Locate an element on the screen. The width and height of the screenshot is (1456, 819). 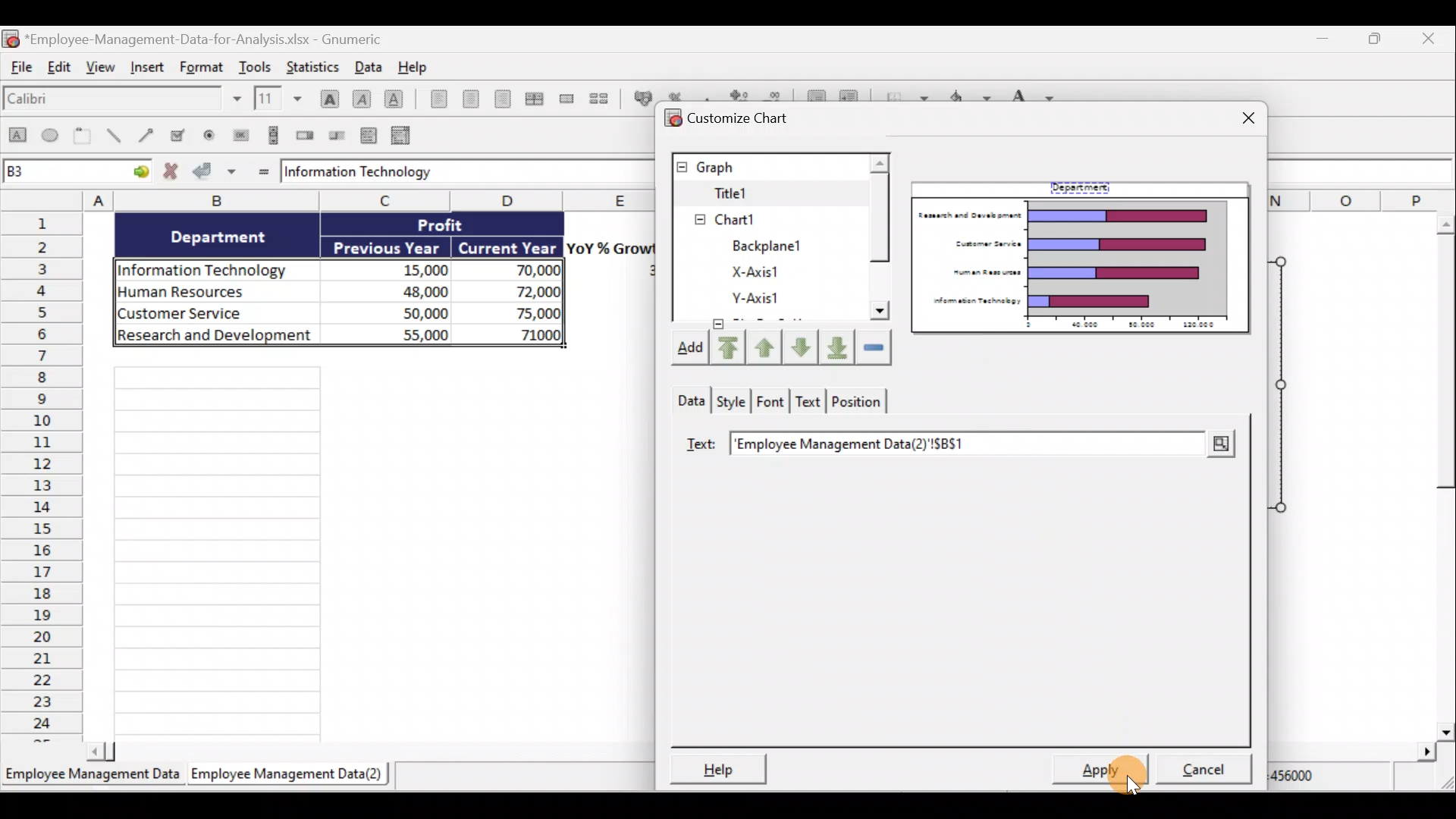
Bold is located at coordinates (328, 98).